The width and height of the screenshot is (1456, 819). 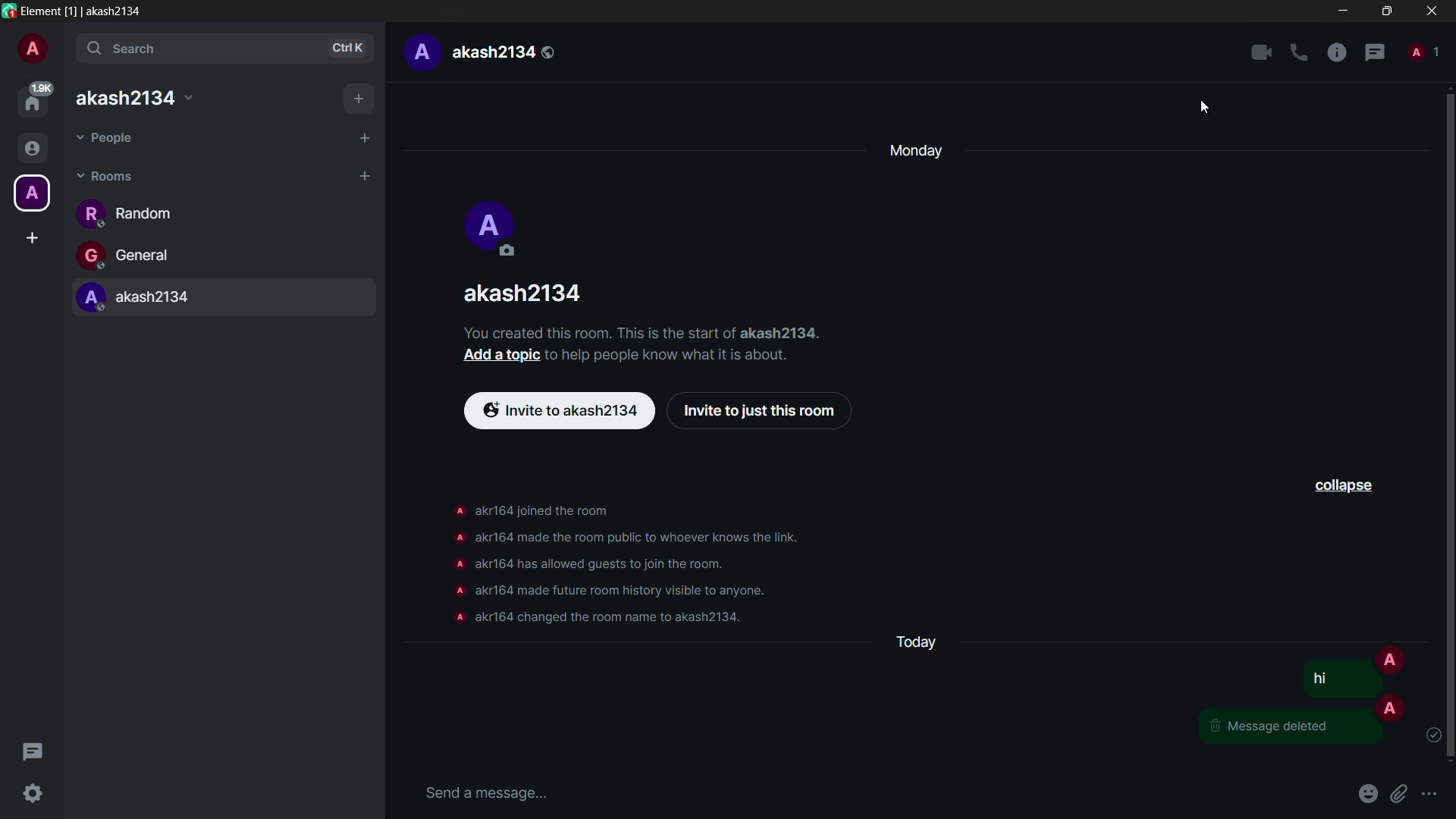 What do you see at coordinates (548, 511) in the screenshot?
I see `akr164 joined the room` at bounding box center [548, 511].